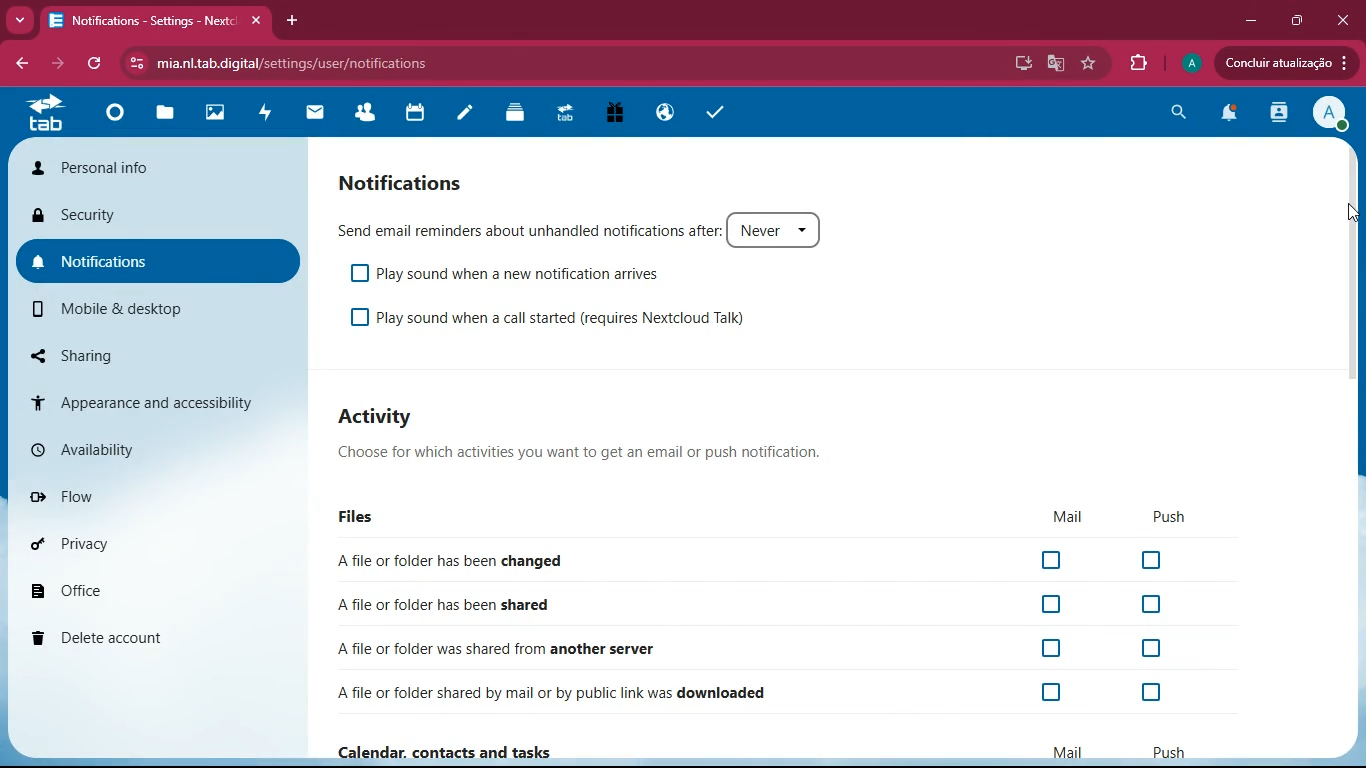 The height and width of the screenshot is (768, 1366). I want to click on favourite, so click(1090, 63).